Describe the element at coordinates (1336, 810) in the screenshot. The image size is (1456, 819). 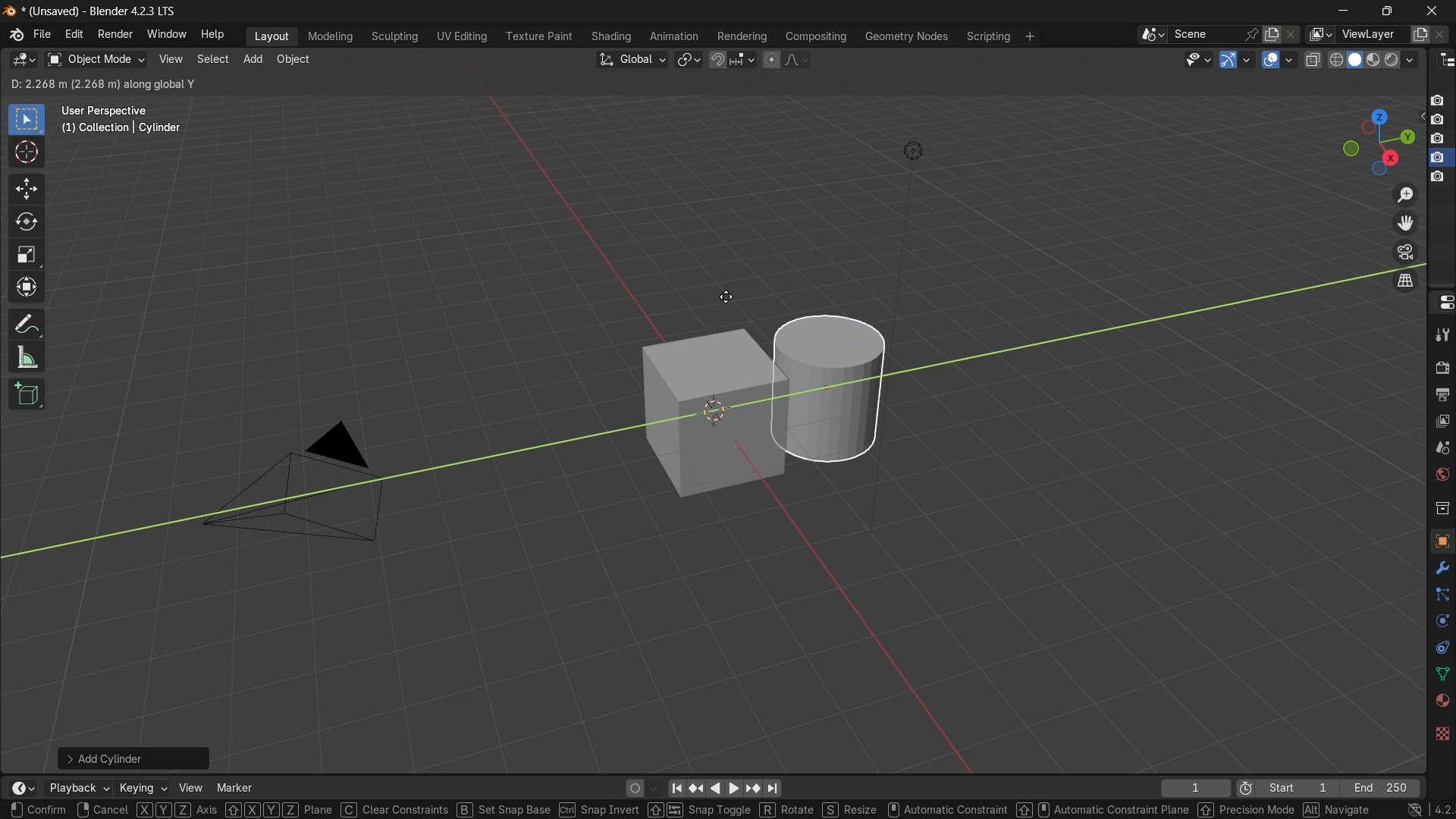
I see `navigation` at that location.